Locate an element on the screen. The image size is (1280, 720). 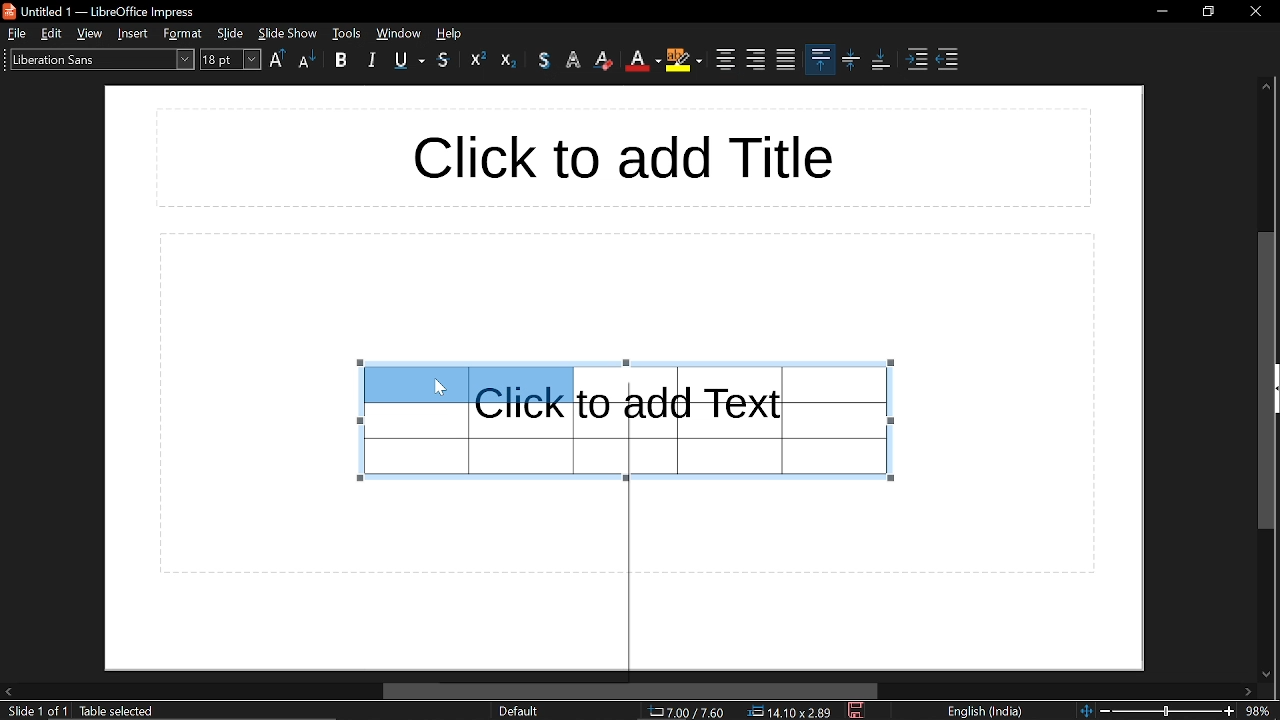
lower case is located at coordinates (307, 61).